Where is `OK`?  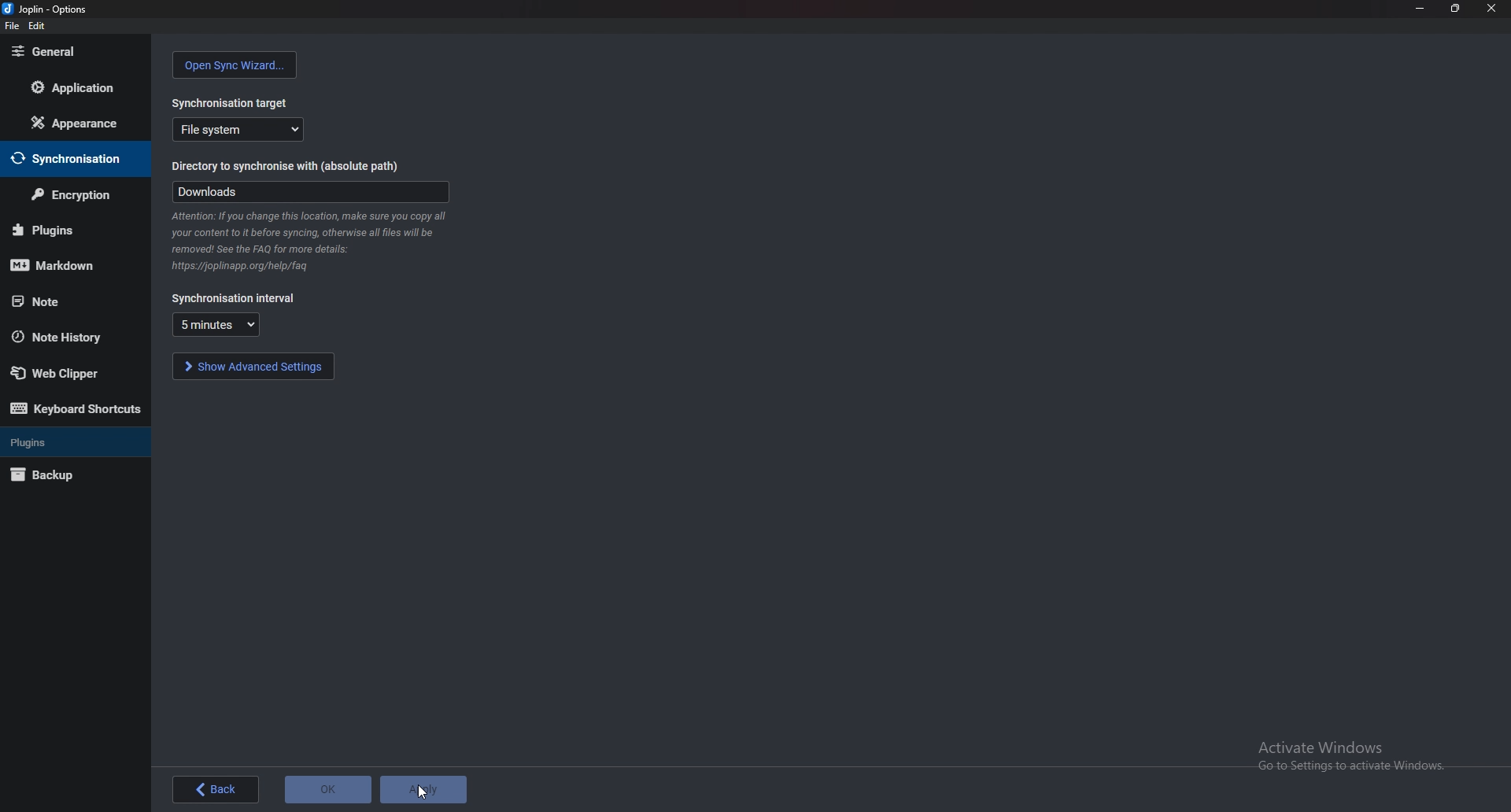 OK is located at coordinates (329, 788).